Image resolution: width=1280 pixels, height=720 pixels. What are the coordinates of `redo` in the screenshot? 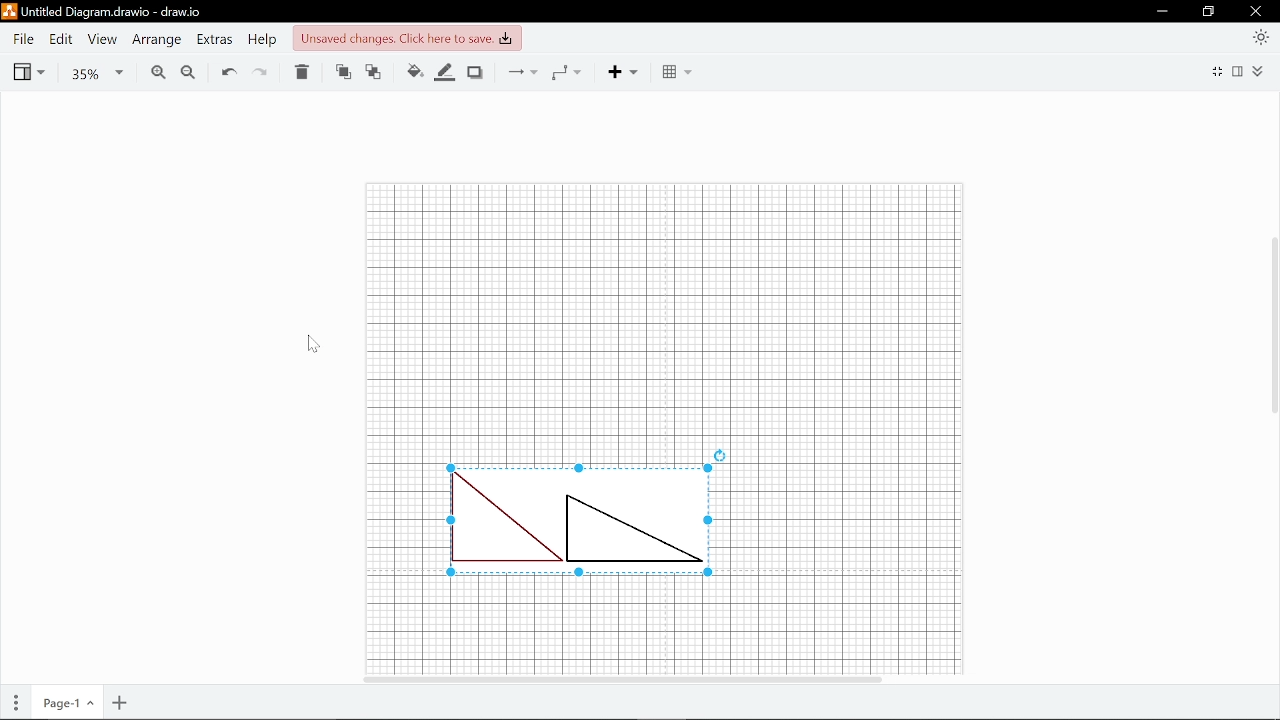 It's located at (259, 71).